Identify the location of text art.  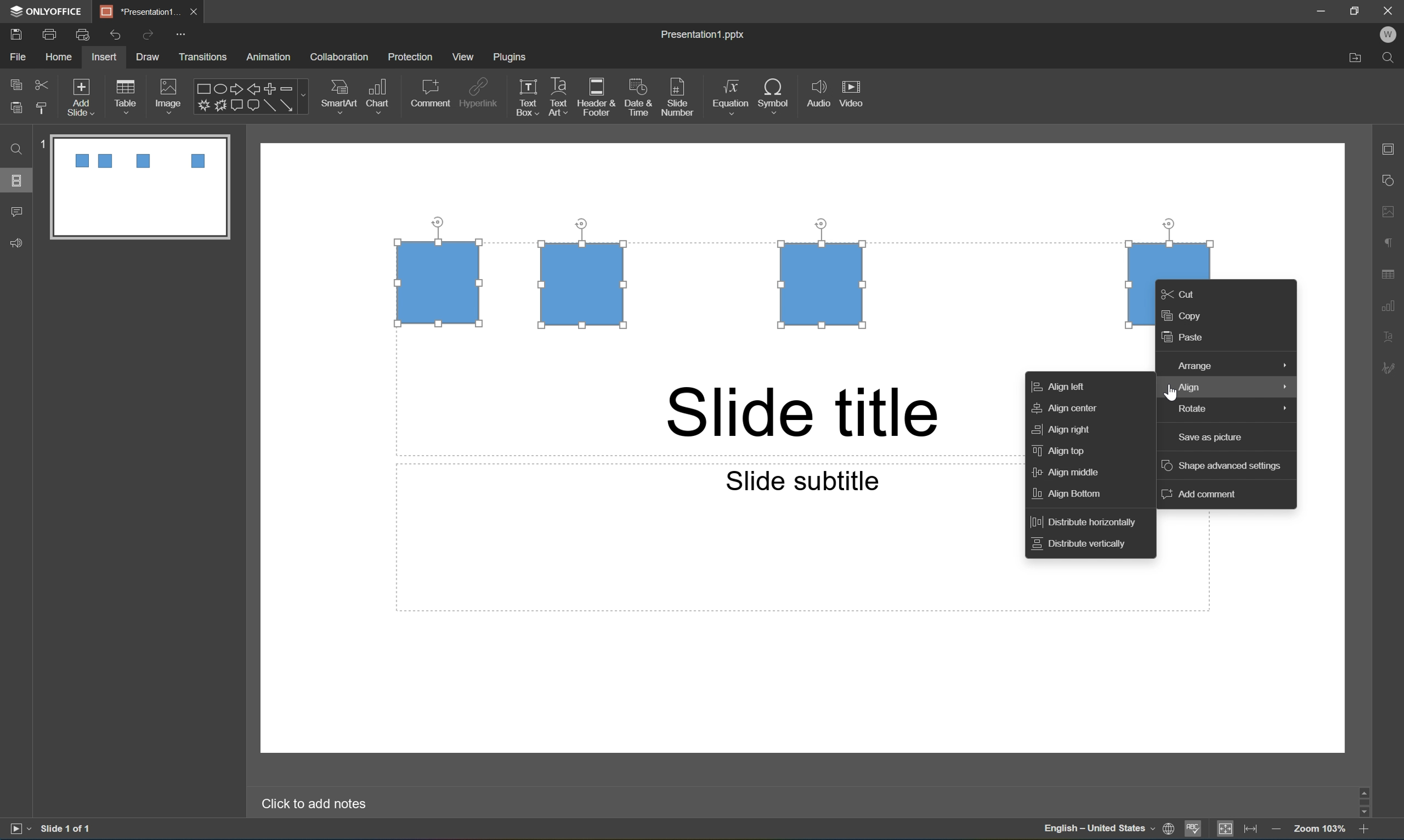
(555, 98).